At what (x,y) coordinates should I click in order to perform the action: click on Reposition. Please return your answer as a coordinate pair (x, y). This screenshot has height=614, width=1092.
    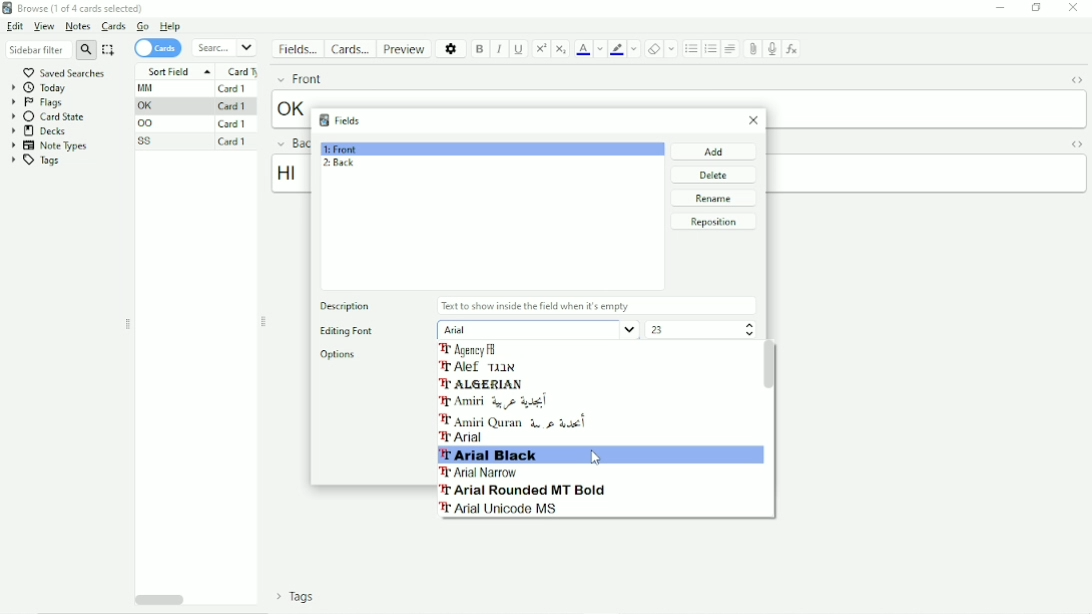
    Looking at the image, I should click on (713, 222).